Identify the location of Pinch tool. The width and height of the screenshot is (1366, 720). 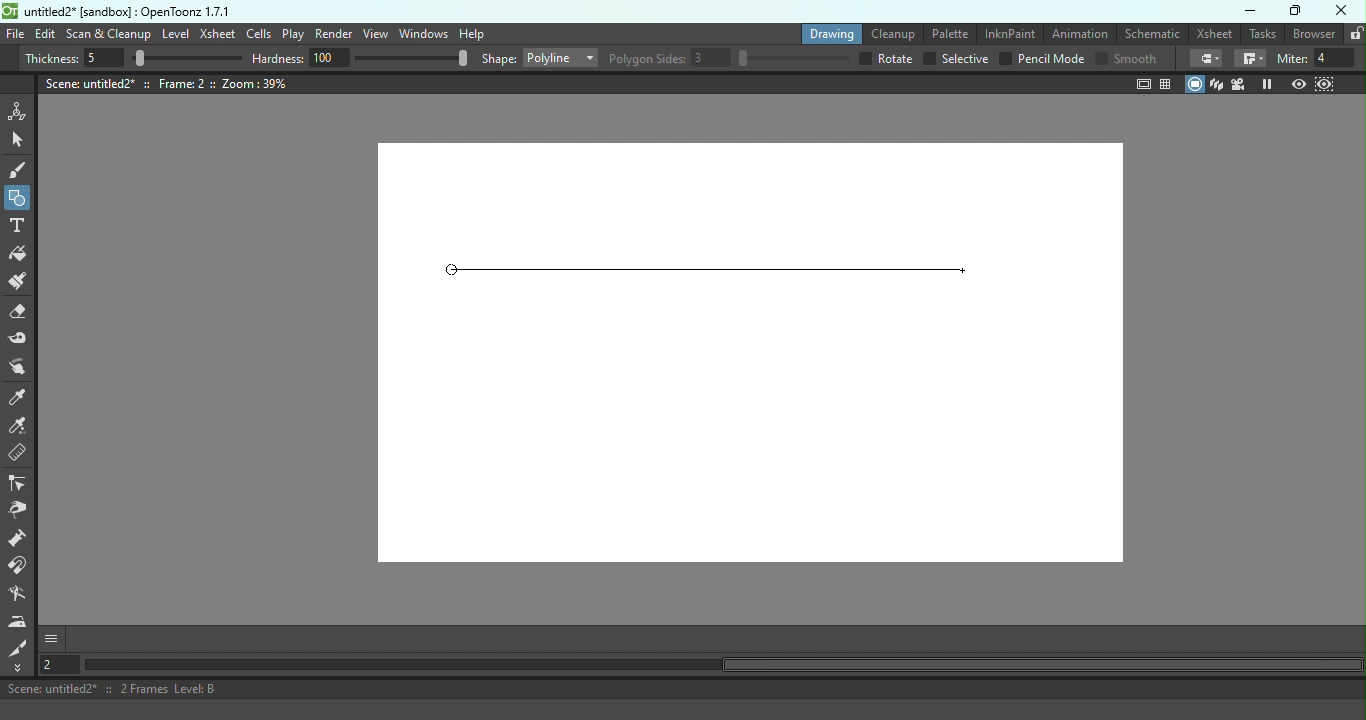
(23, 511).